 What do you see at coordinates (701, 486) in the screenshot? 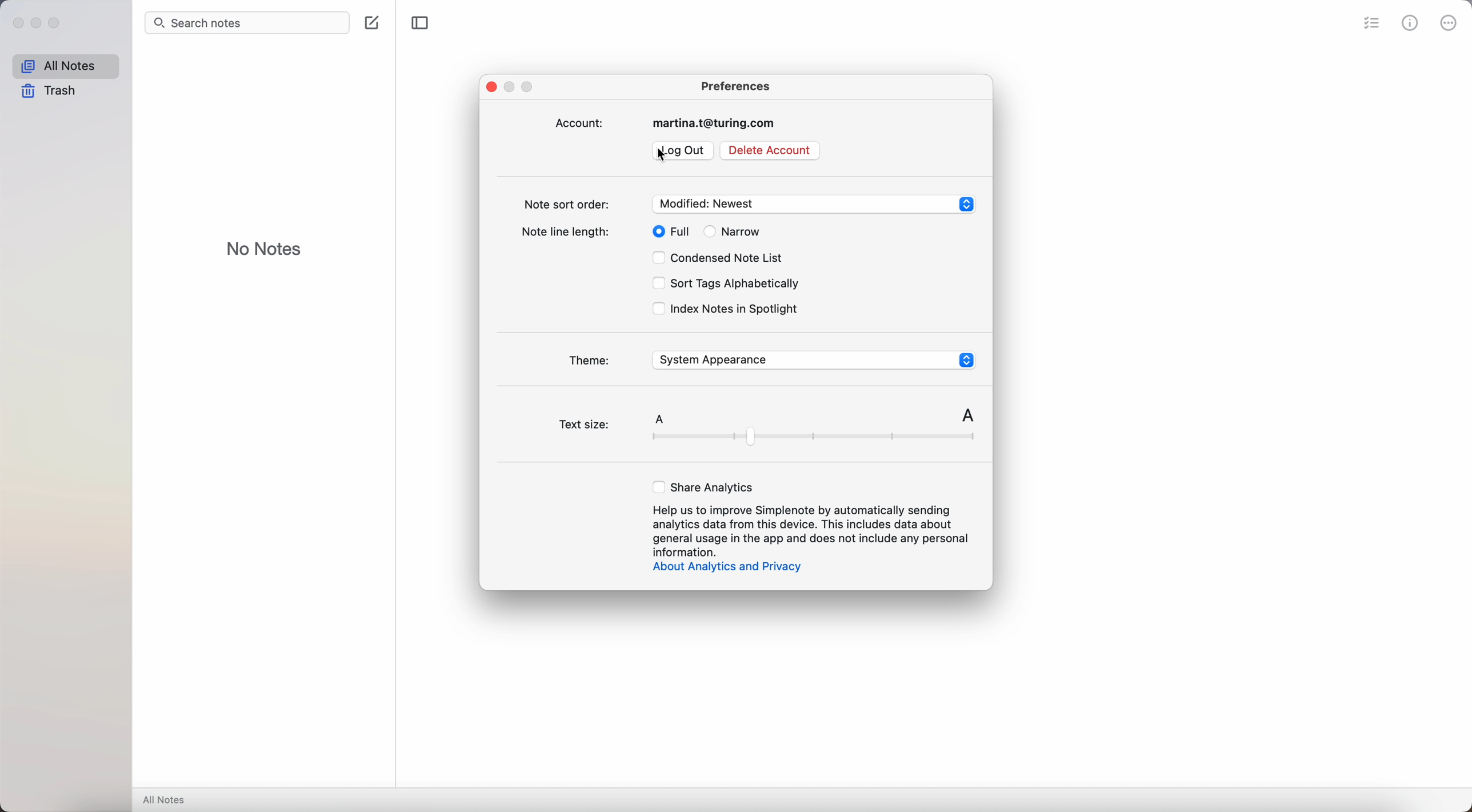
I see `share analytics` at bounding box center [701, 486].